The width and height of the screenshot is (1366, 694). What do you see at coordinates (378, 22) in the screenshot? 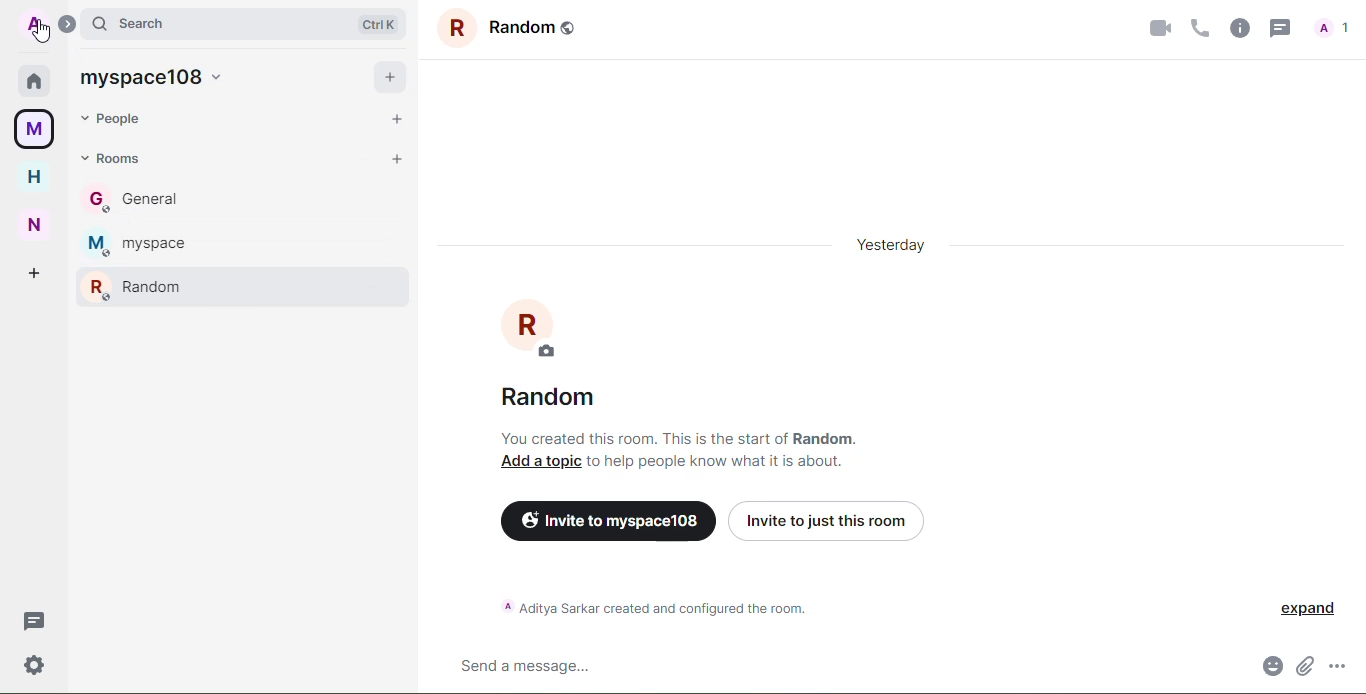
I see `ctrl+k` at bounding box center [378, 22].